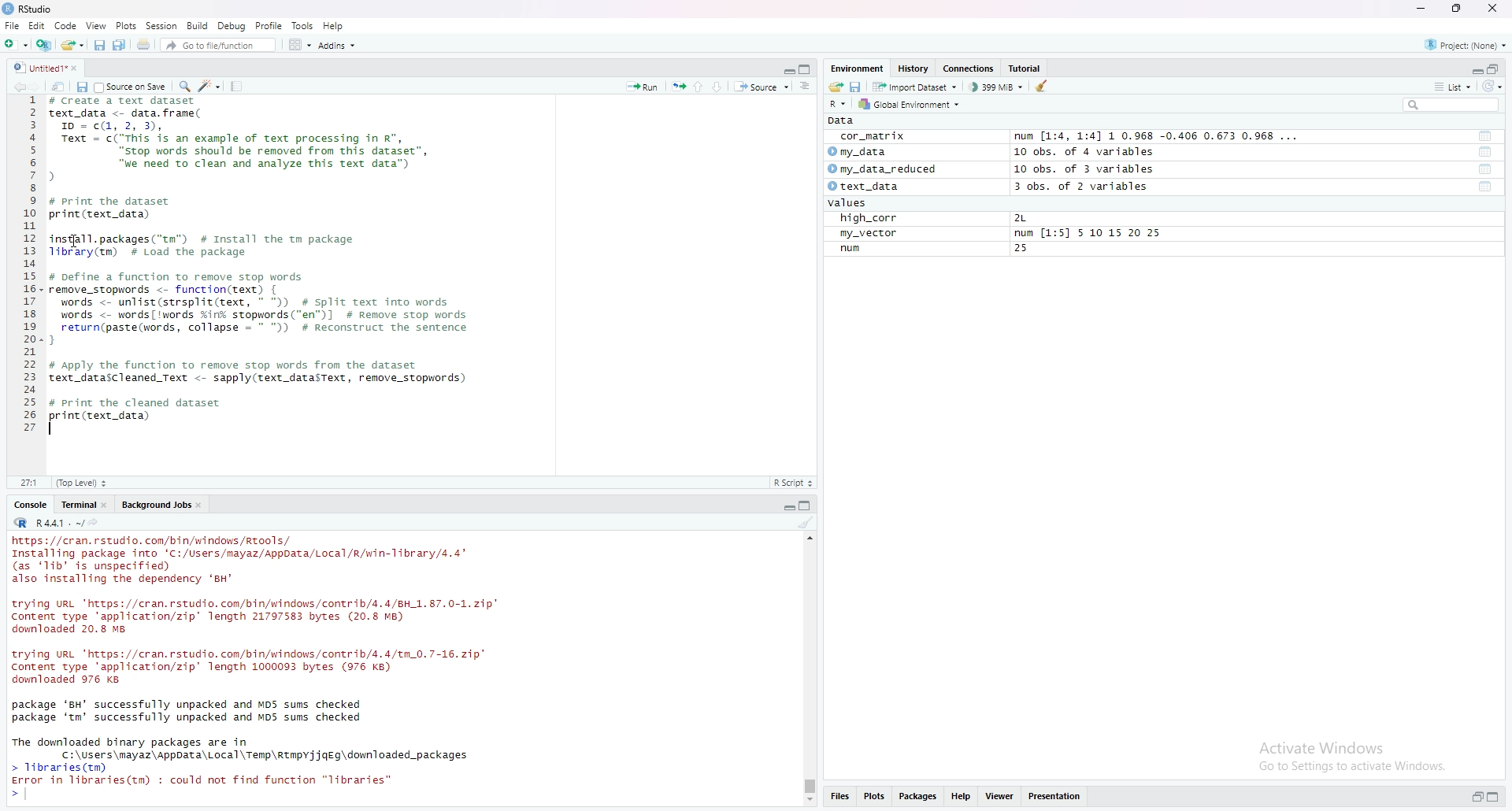 This screenshot has height=811, width=1512. What do you see at coordinates (1022, 250) in the screenshot?
I see `25` at bounding box center [1022, 250].